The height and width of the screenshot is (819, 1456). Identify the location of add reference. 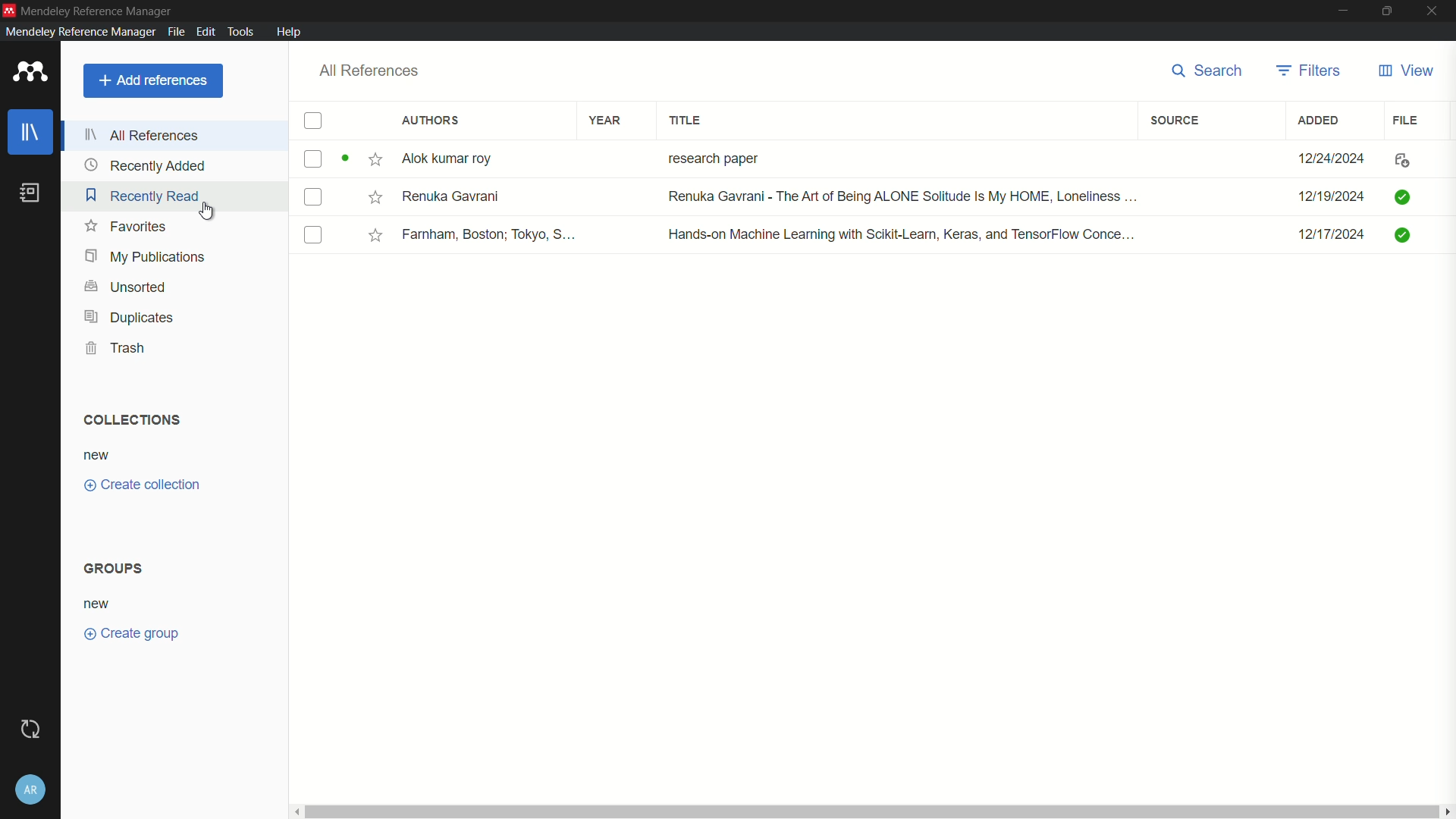
(154, 80).